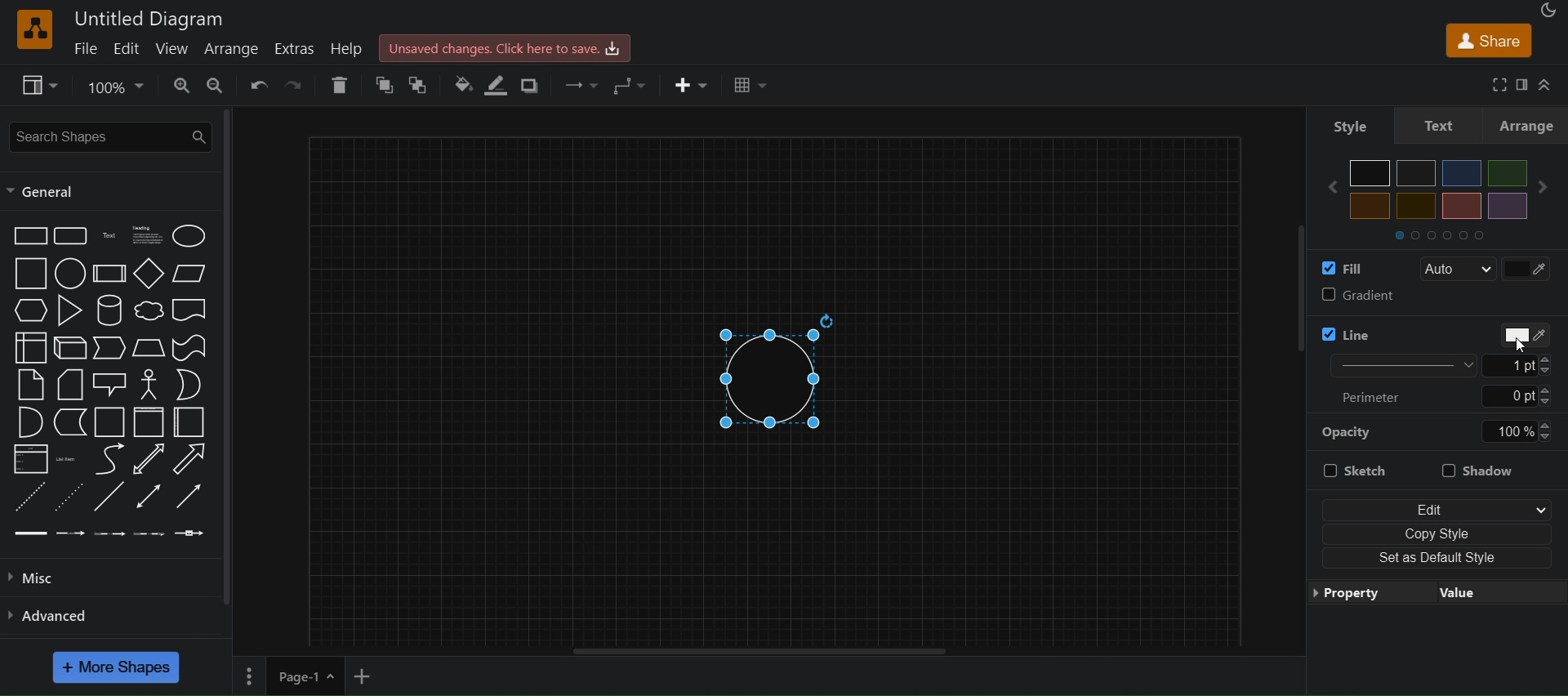  I want to click on format, so click(1524, 85).